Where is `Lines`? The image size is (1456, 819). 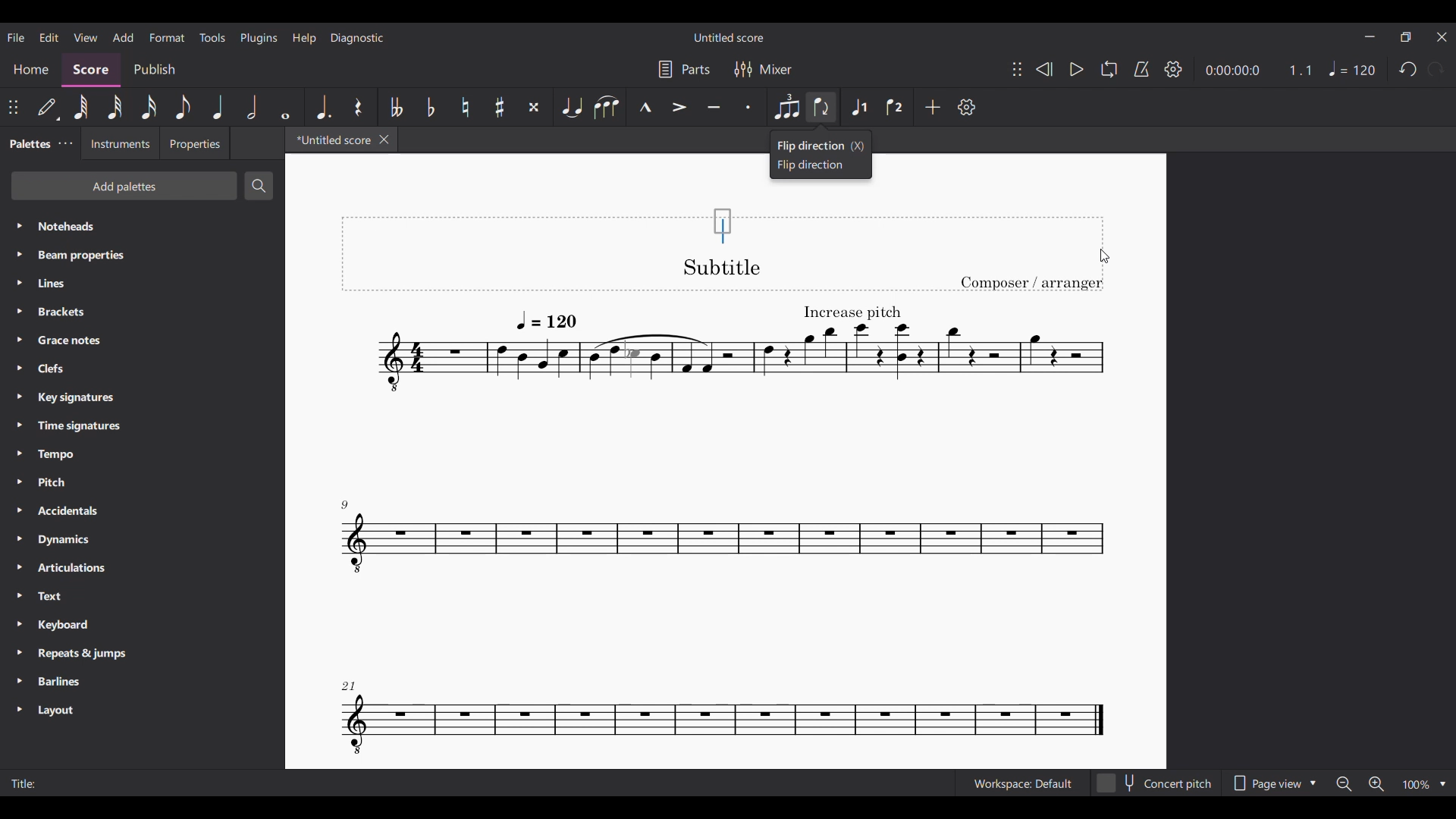
Lines is located at coordinates (143, 283).